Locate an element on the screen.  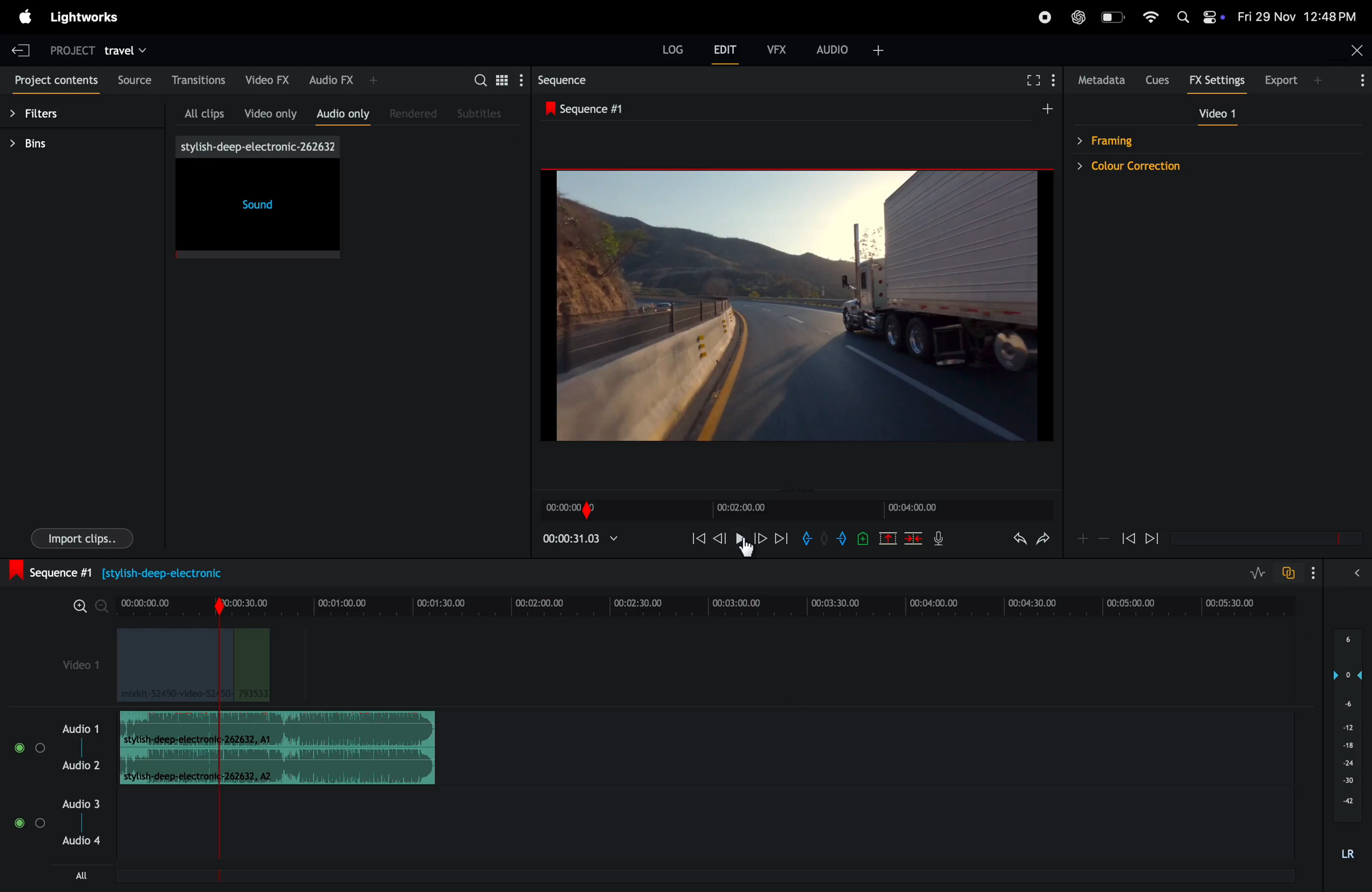
previous is located at coordinates (721, 538).